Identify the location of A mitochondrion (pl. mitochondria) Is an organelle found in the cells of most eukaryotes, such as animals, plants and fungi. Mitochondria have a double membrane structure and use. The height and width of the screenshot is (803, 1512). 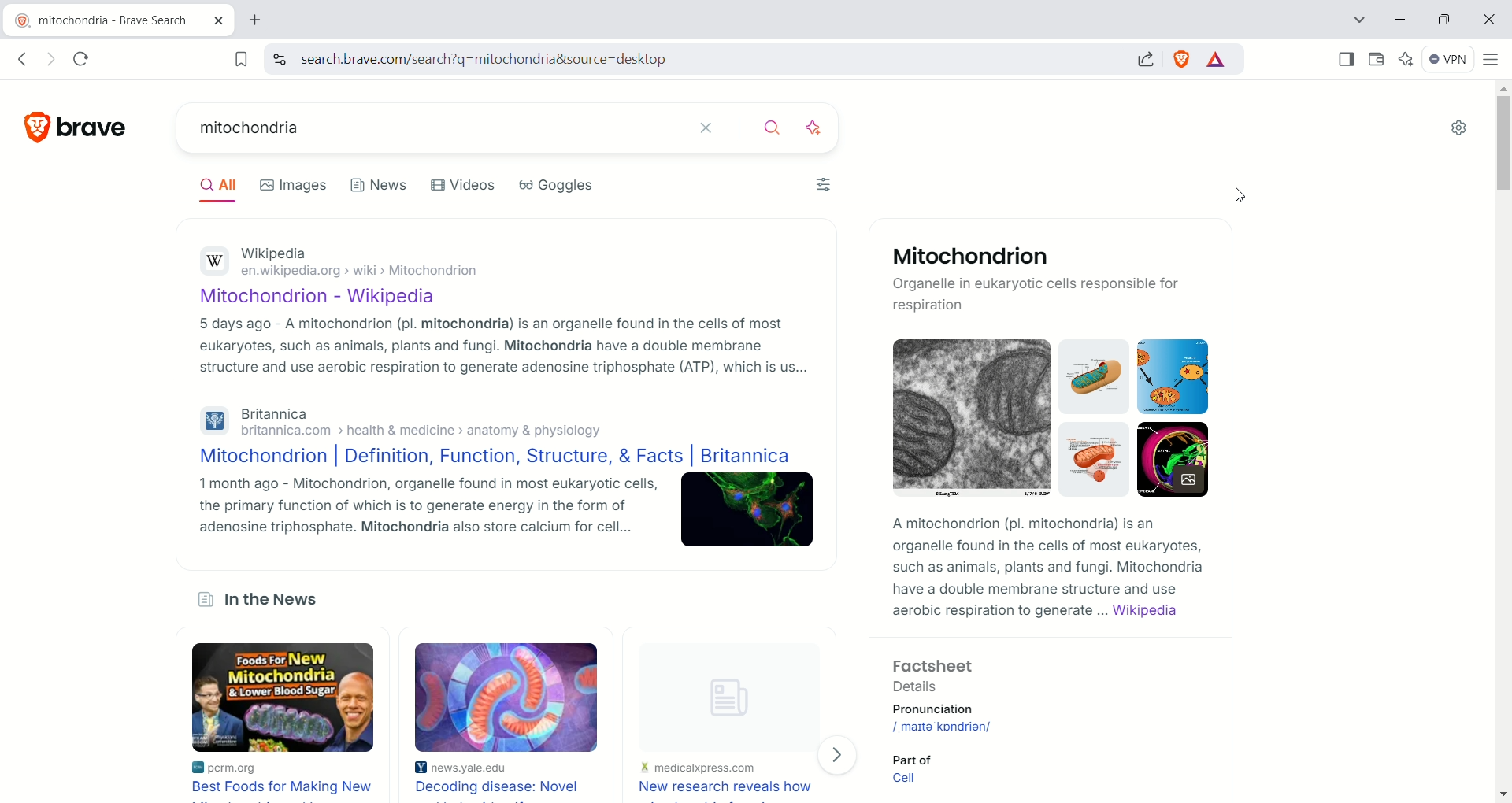
(1061, 558).